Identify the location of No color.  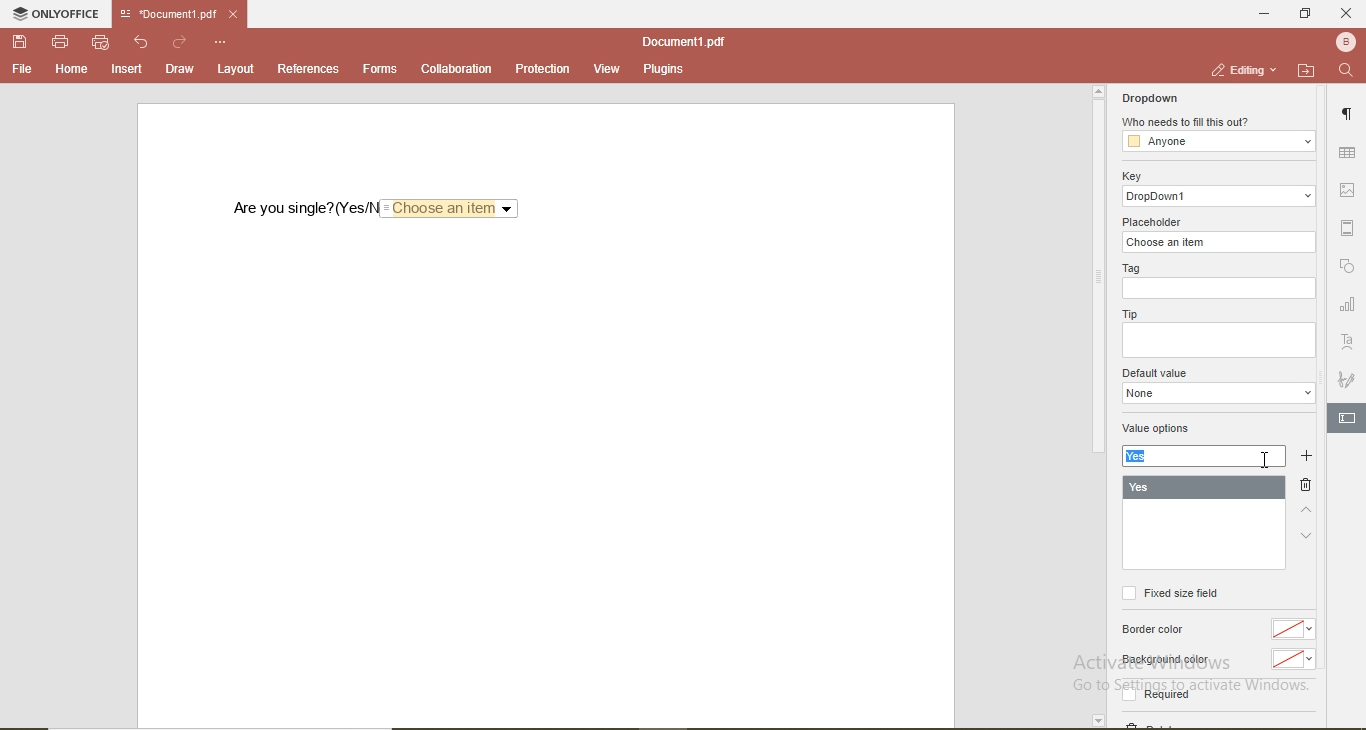
(1292, 660).